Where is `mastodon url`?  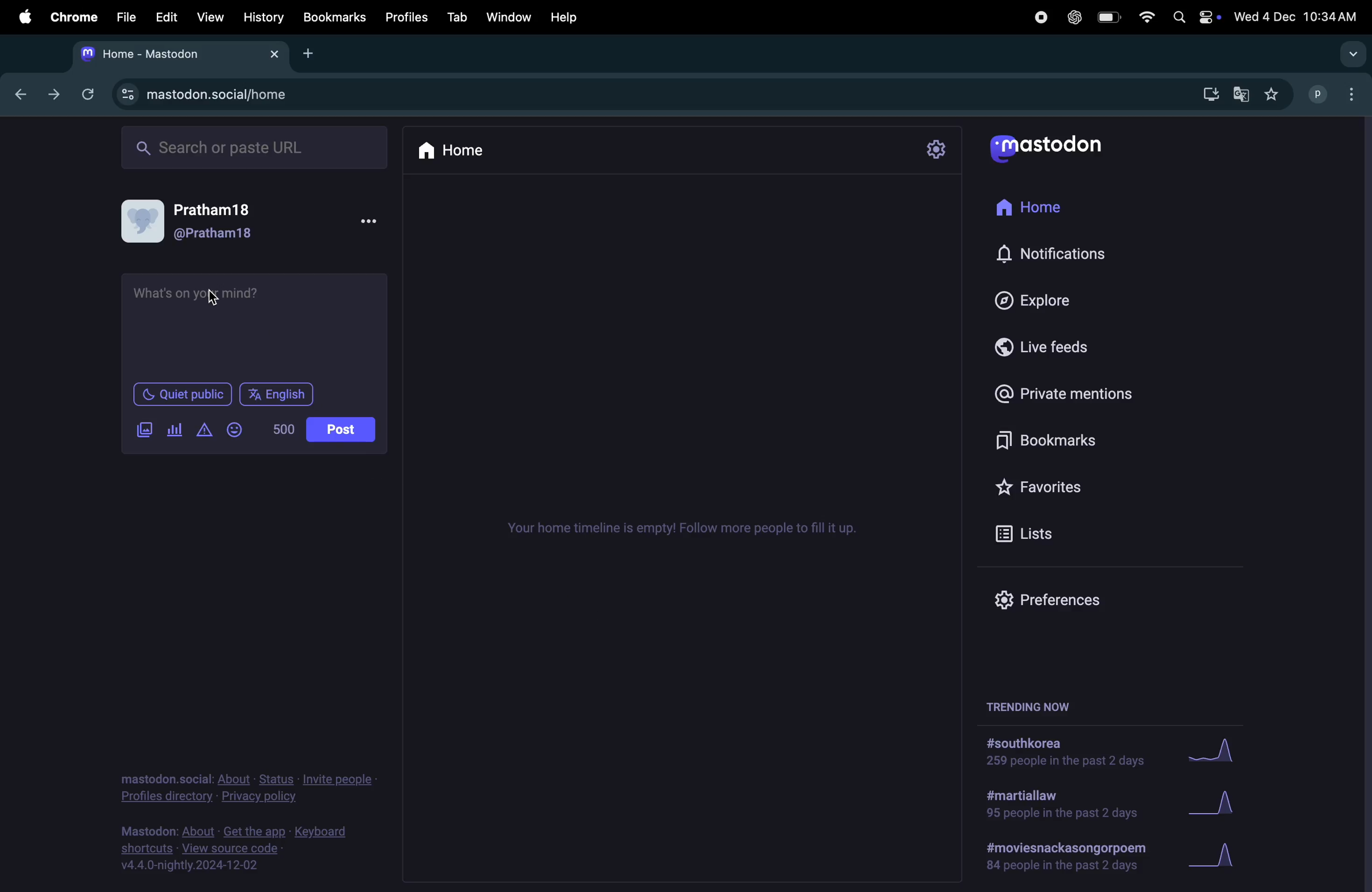
mastodon url is located at coordinates (211, 95).